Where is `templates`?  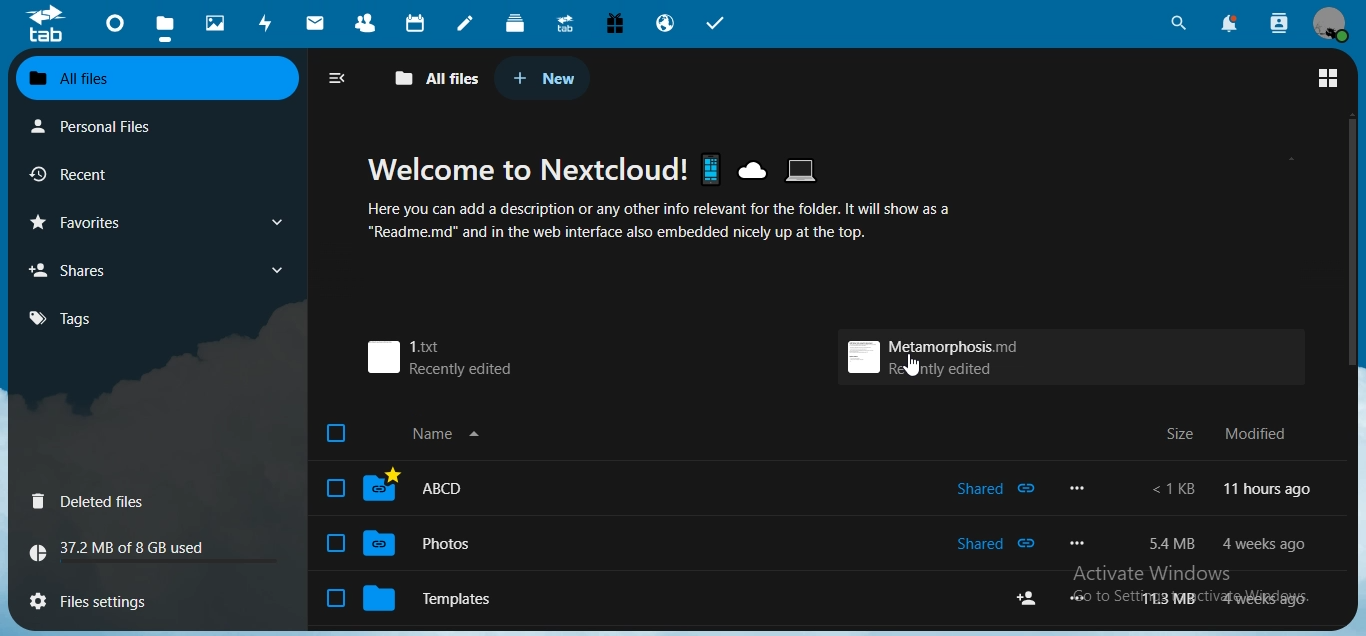
templates is located at coordinates (415, 596).